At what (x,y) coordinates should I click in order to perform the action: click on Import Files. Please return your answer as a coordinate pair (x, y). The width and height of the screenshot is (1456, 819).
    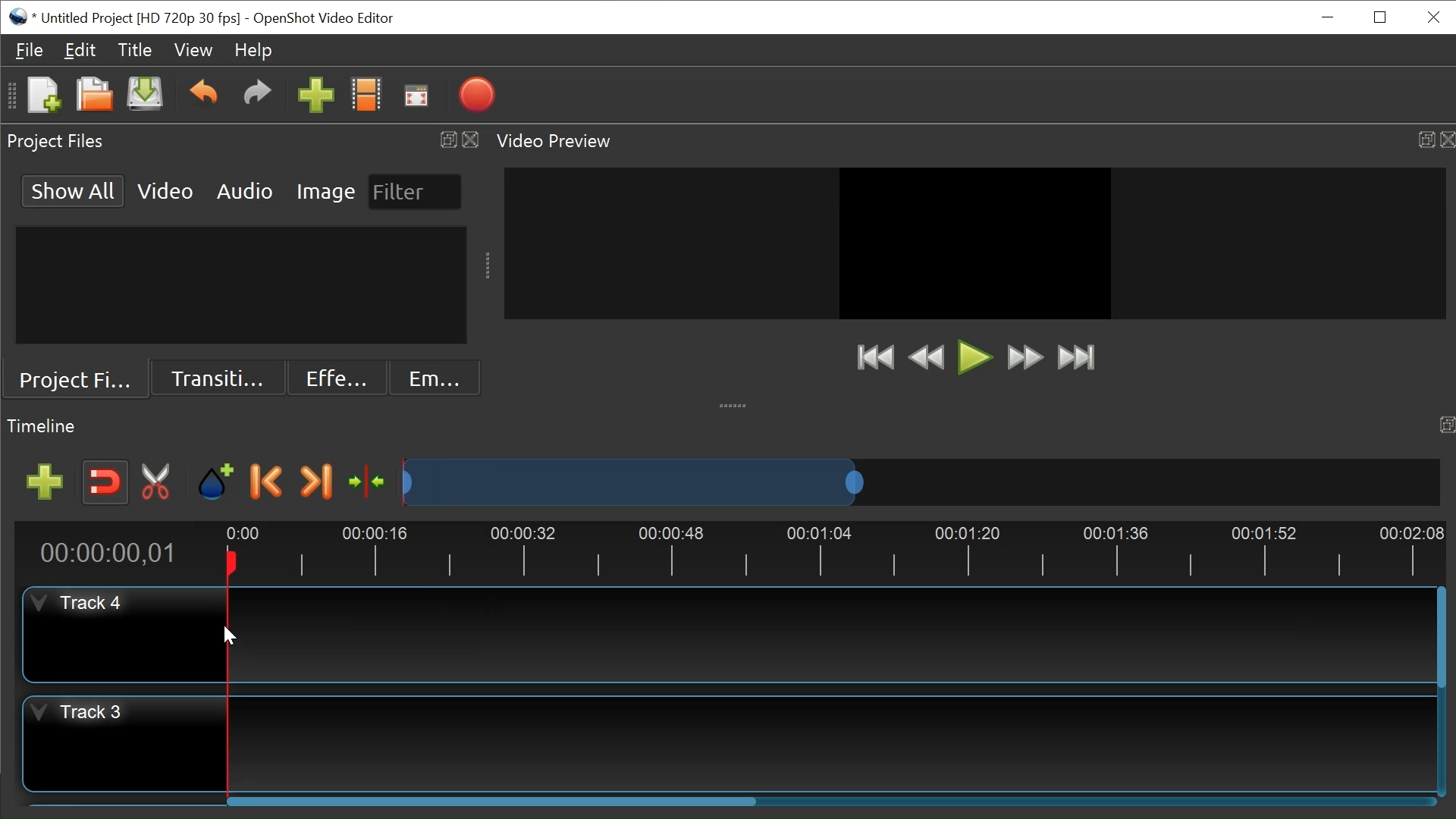
    Looking at the image, I should click on (317, 97).